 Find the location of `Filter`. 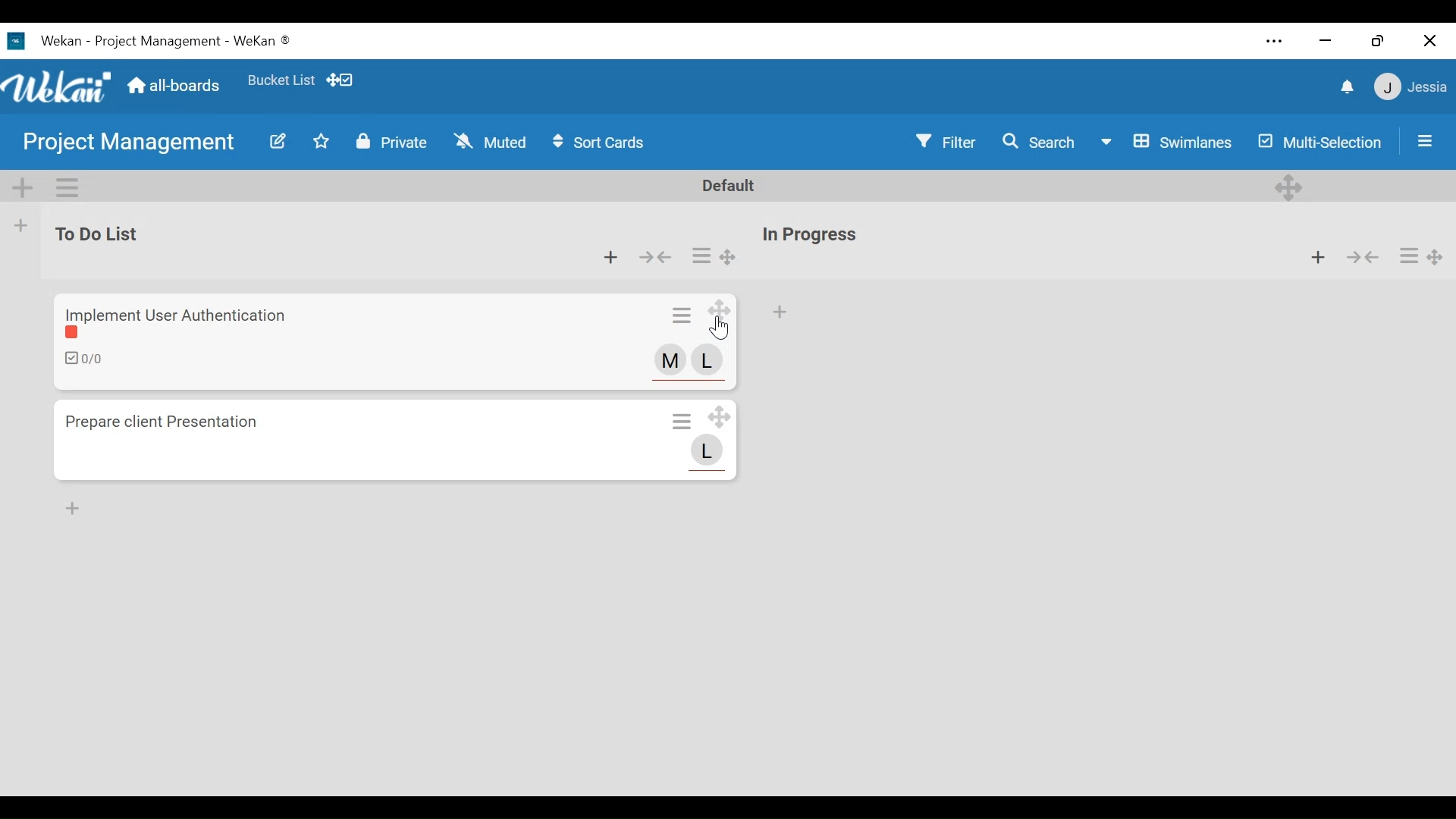

Filter is located at coordinates (948, 142).